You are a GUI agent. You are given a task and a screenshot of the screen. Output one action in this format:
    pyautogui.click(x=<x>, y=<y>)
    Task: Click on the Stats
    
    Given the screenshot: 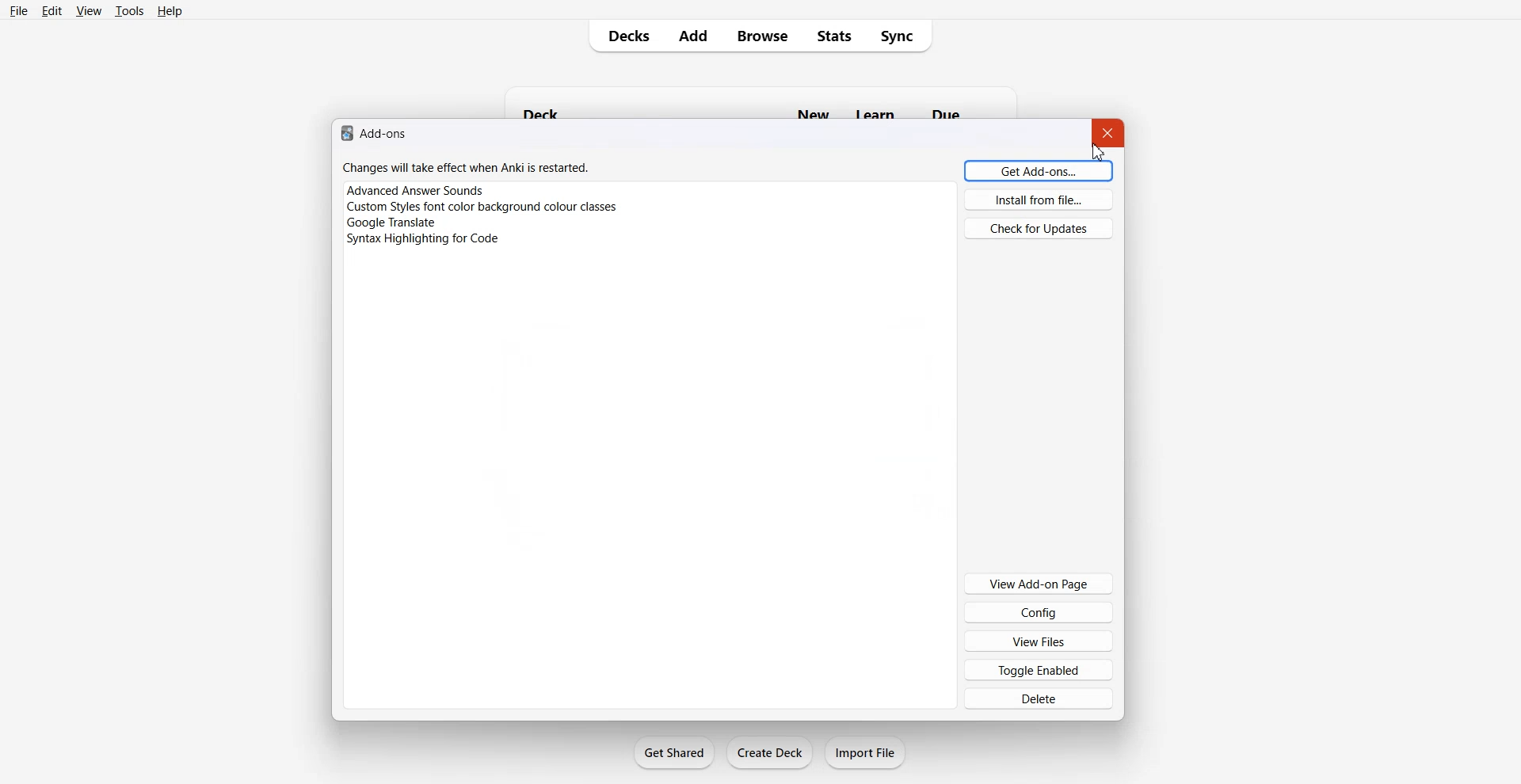 What is the action you would take?
    pyautogui.click(x=833, y=36)
    